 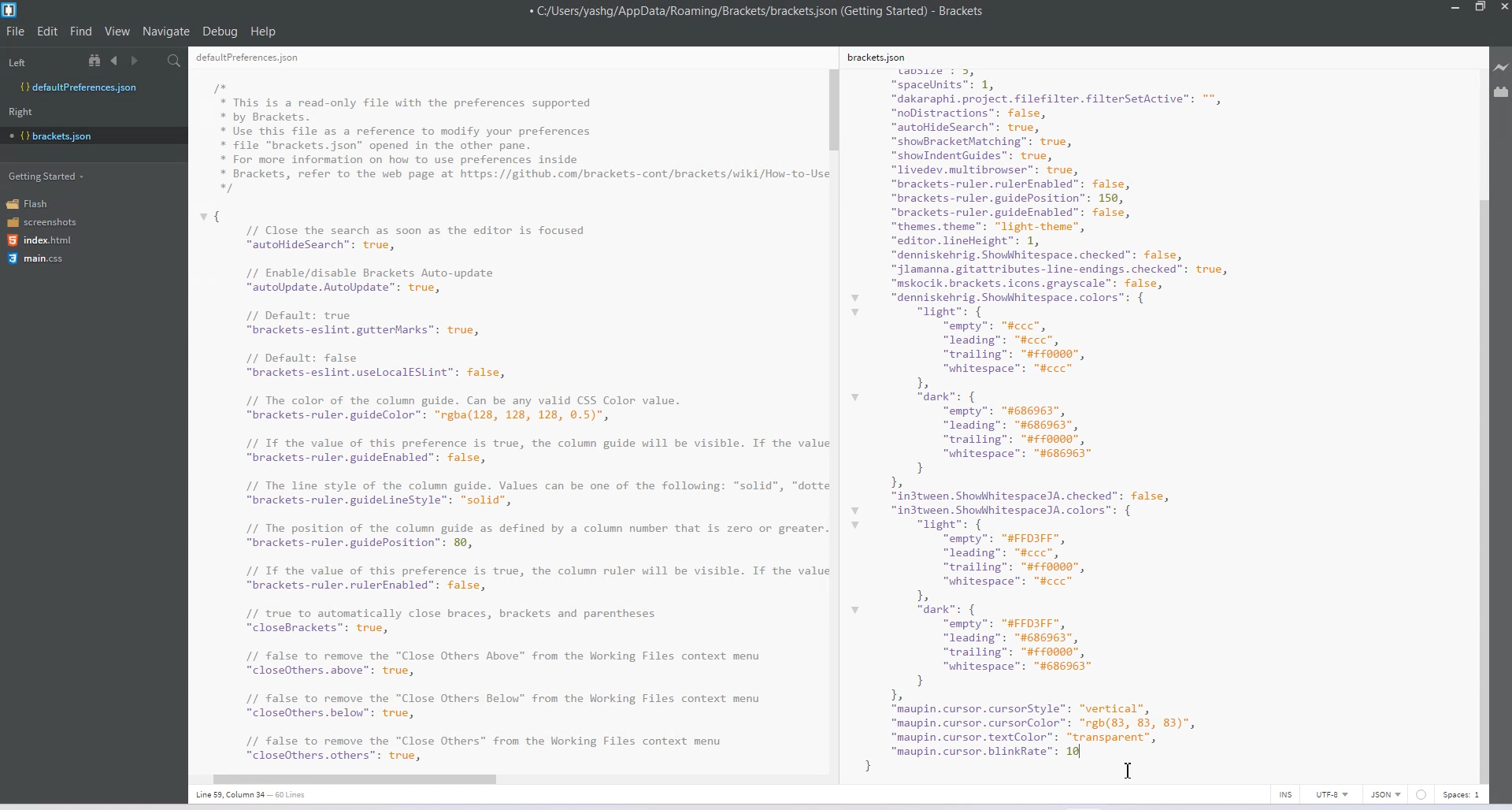 I want to click on Find, so click(x=82, y=31).